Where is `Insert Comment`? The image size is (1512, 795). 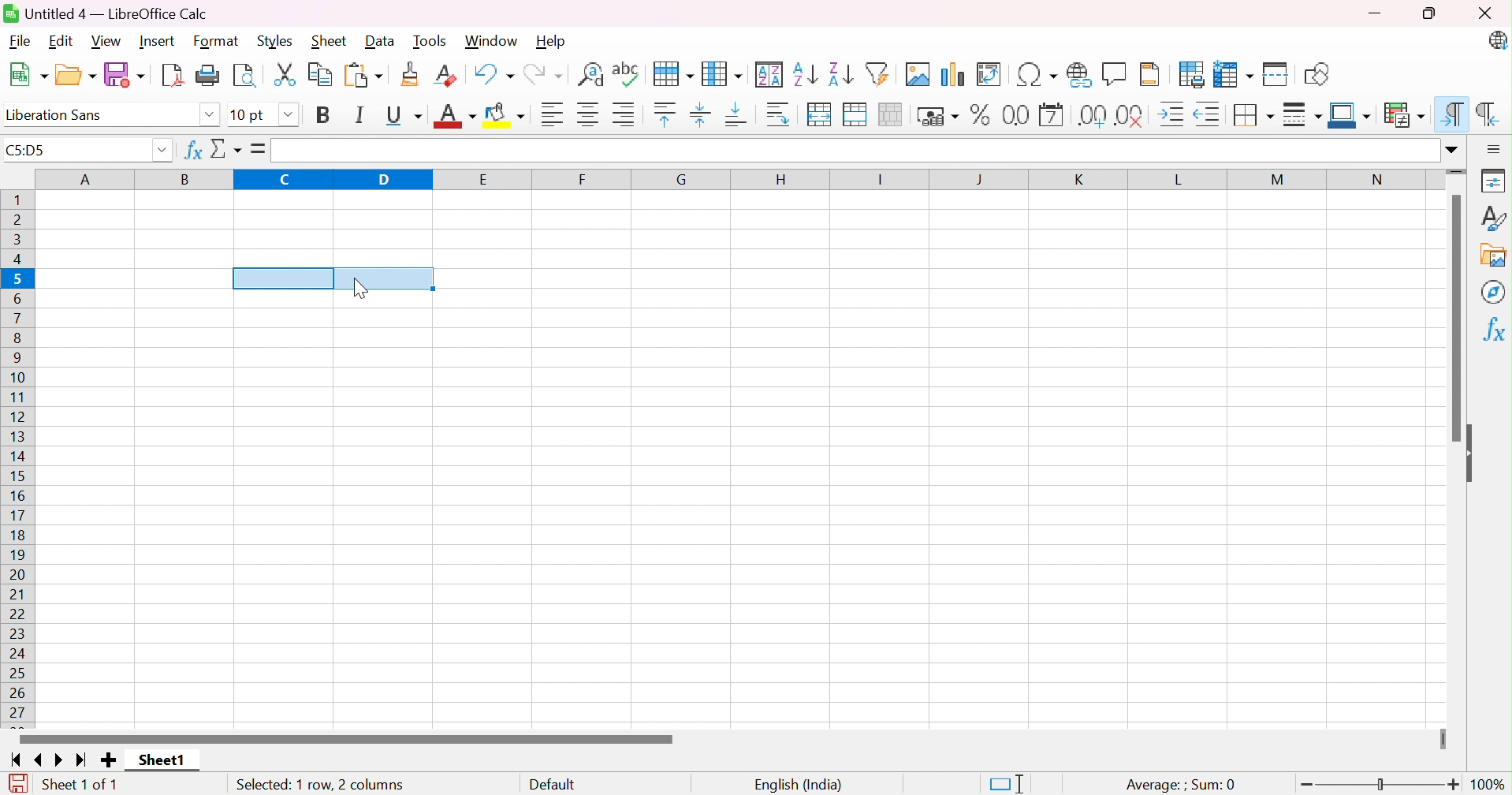
Insert Comment is located at coordinates (1115, 73).